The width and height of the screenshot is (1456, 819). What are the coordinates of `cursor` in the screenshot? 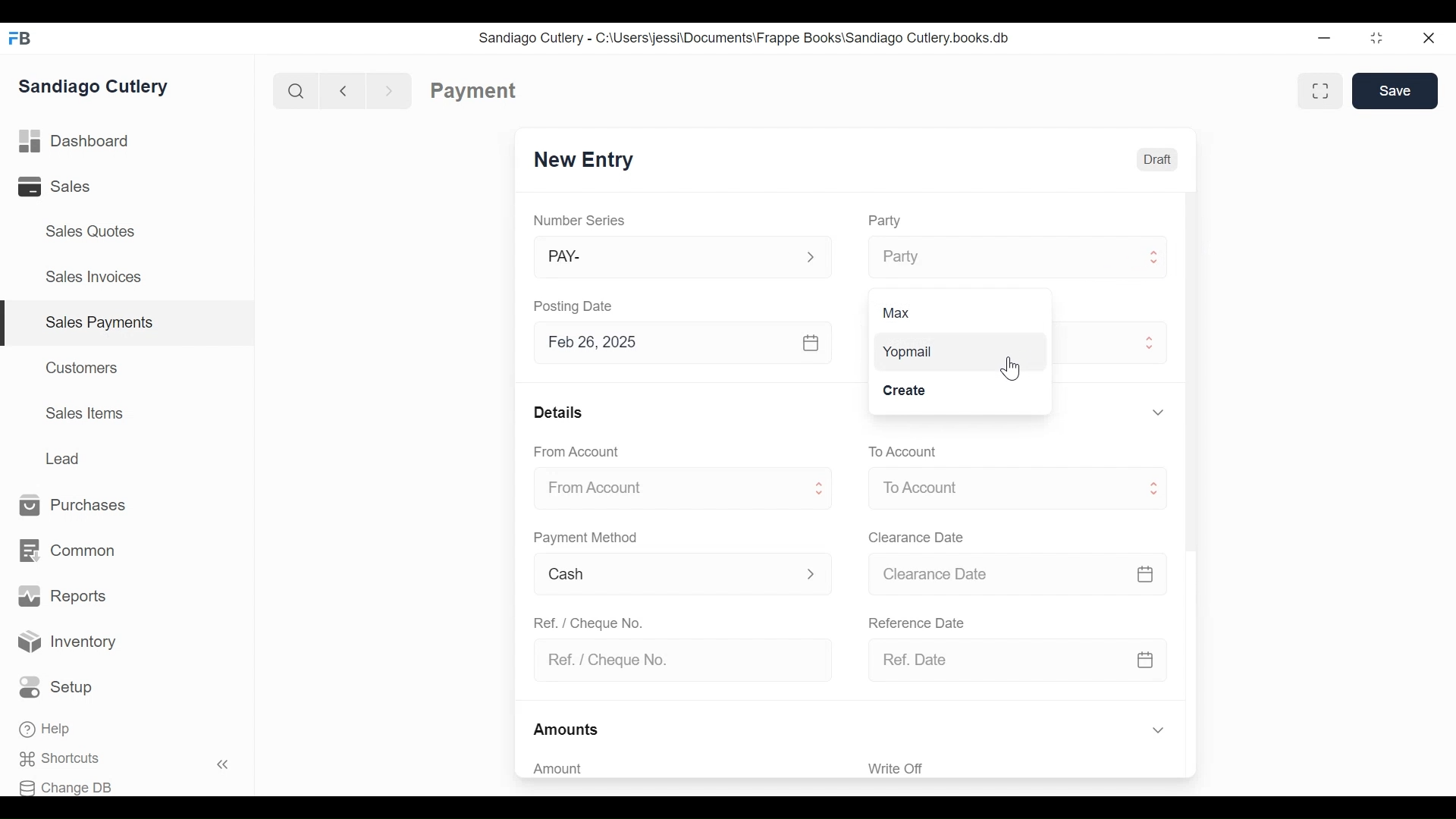 It's located at (1159, 268).